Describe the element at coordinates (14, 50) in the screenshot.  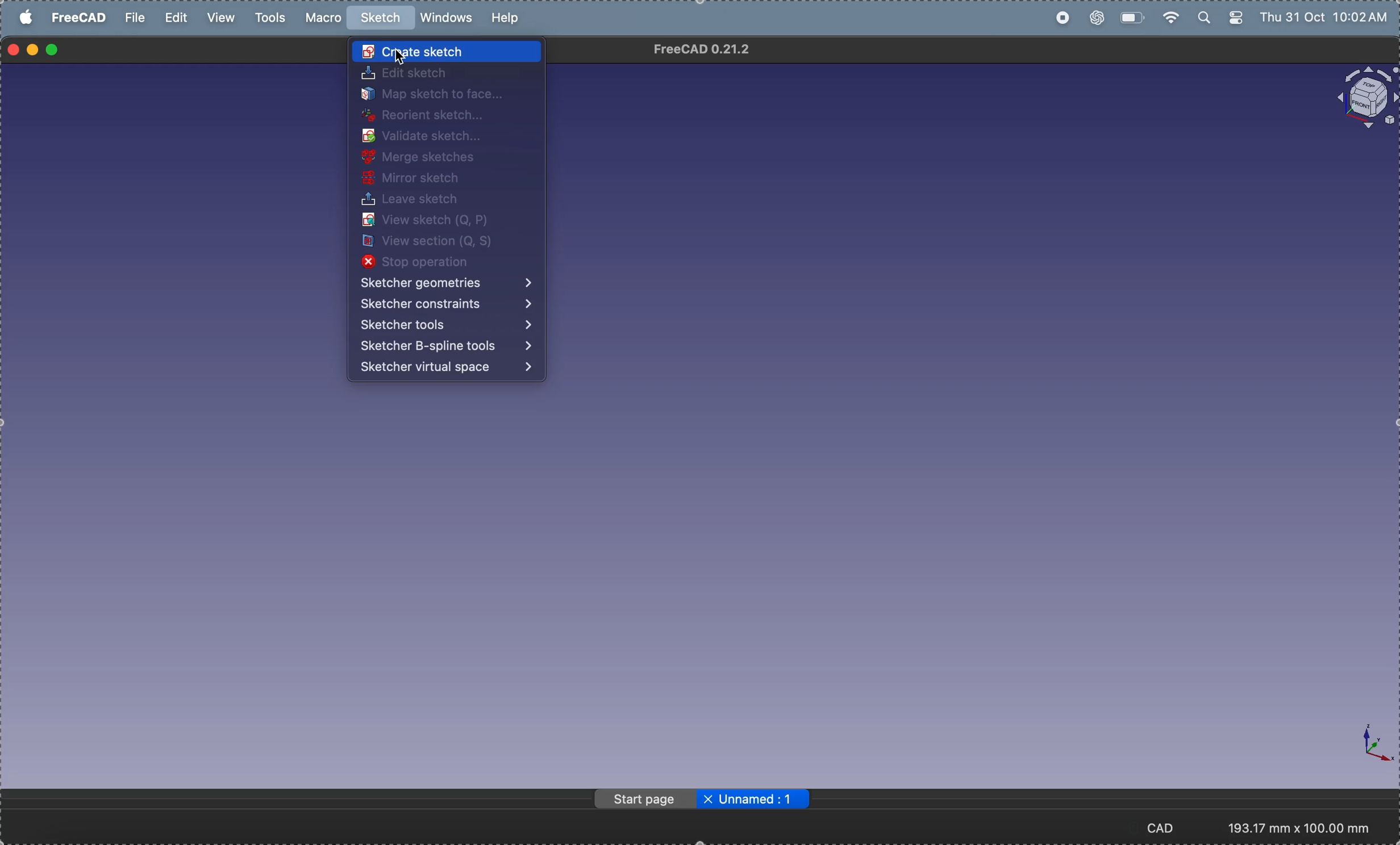
I see `closing window` at that location.